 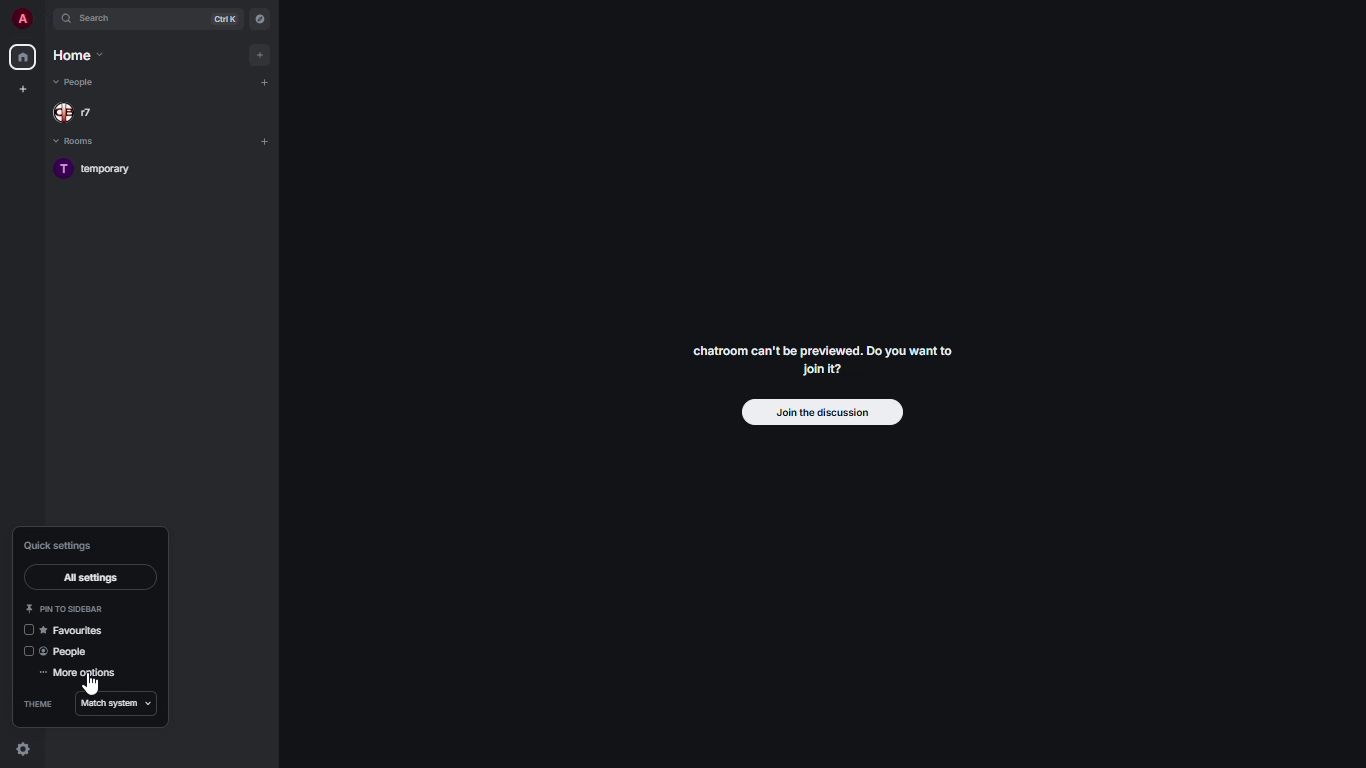 What do you see at coordinates (80, 673) in the screenshot?
I see `more settings` at bounding box center [80, 673].